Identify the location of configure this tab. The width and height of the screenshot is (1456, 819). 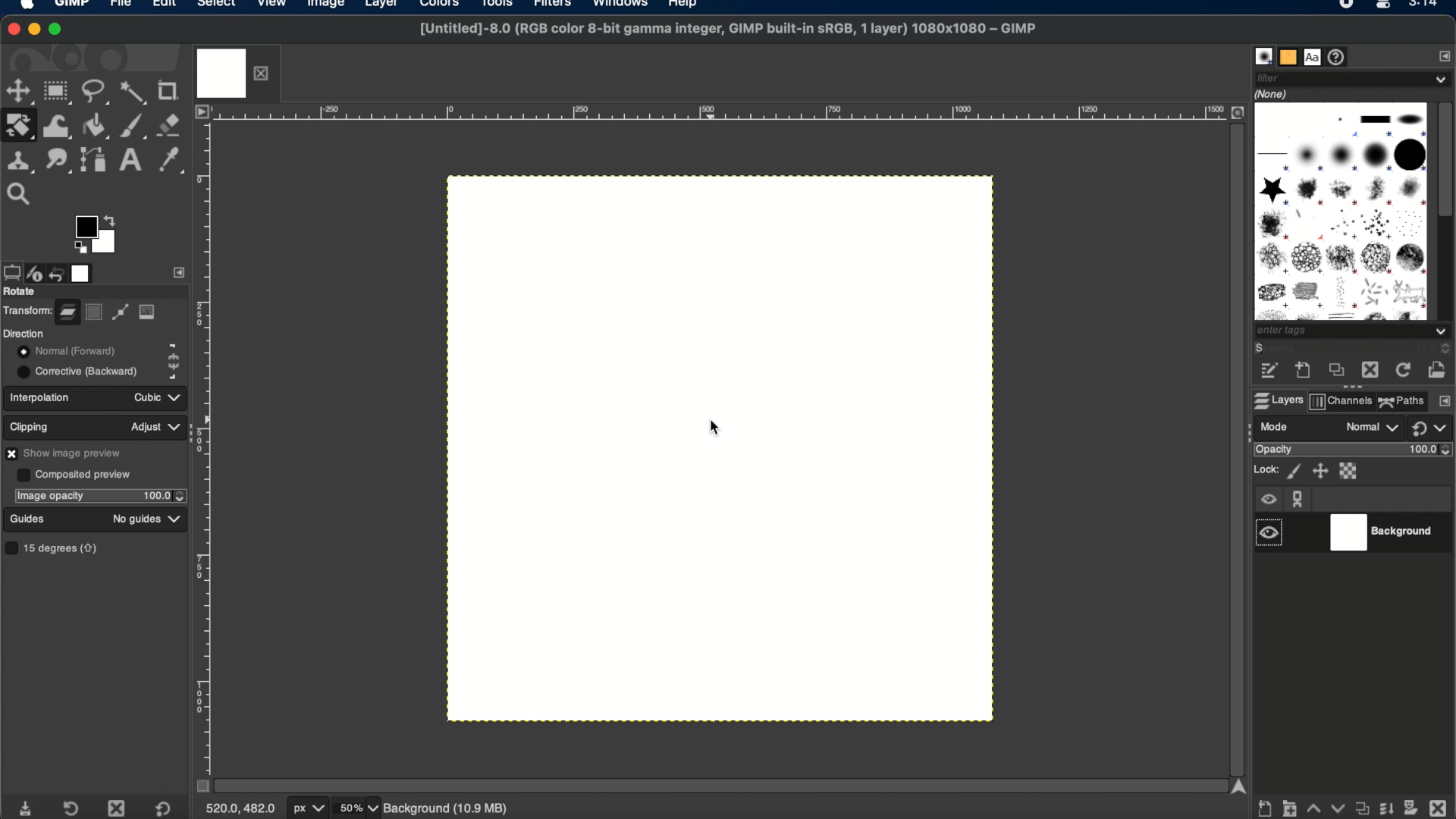
(1442, 55).